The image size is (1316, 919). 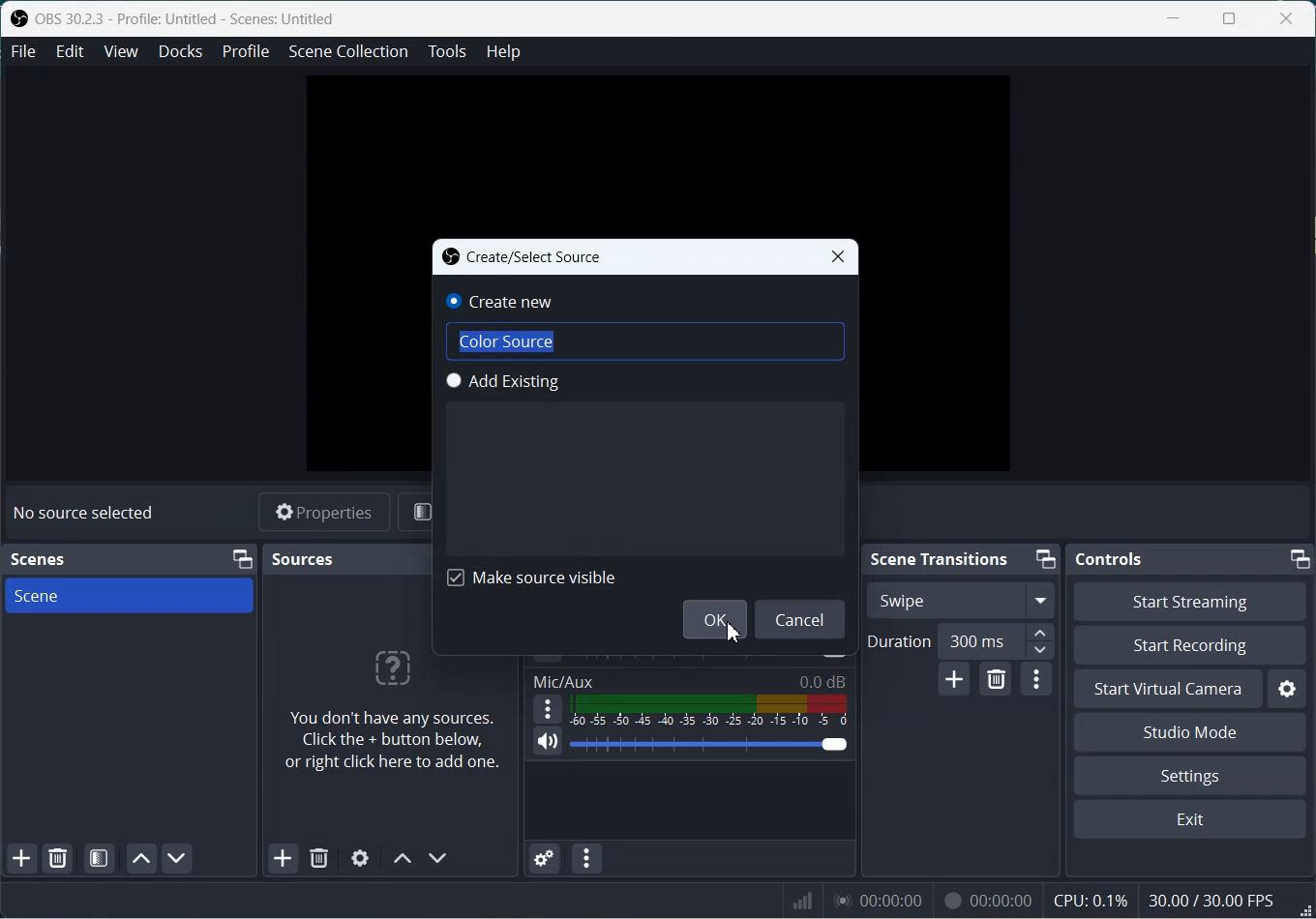 I want to click on Transition properties, so click(x=1038, y=680).